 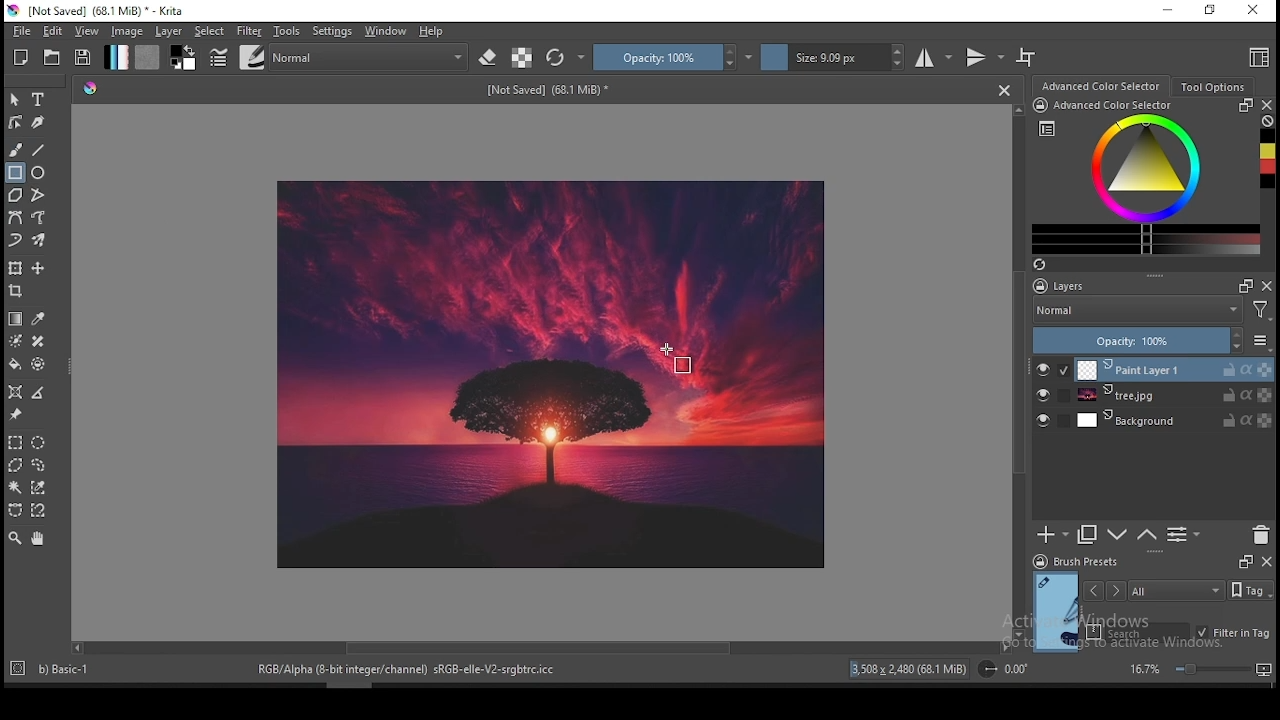 What do you see at coordinates (148, 58) in the screenshot?
I see `pattern fill` at bounding box center [148, 58].